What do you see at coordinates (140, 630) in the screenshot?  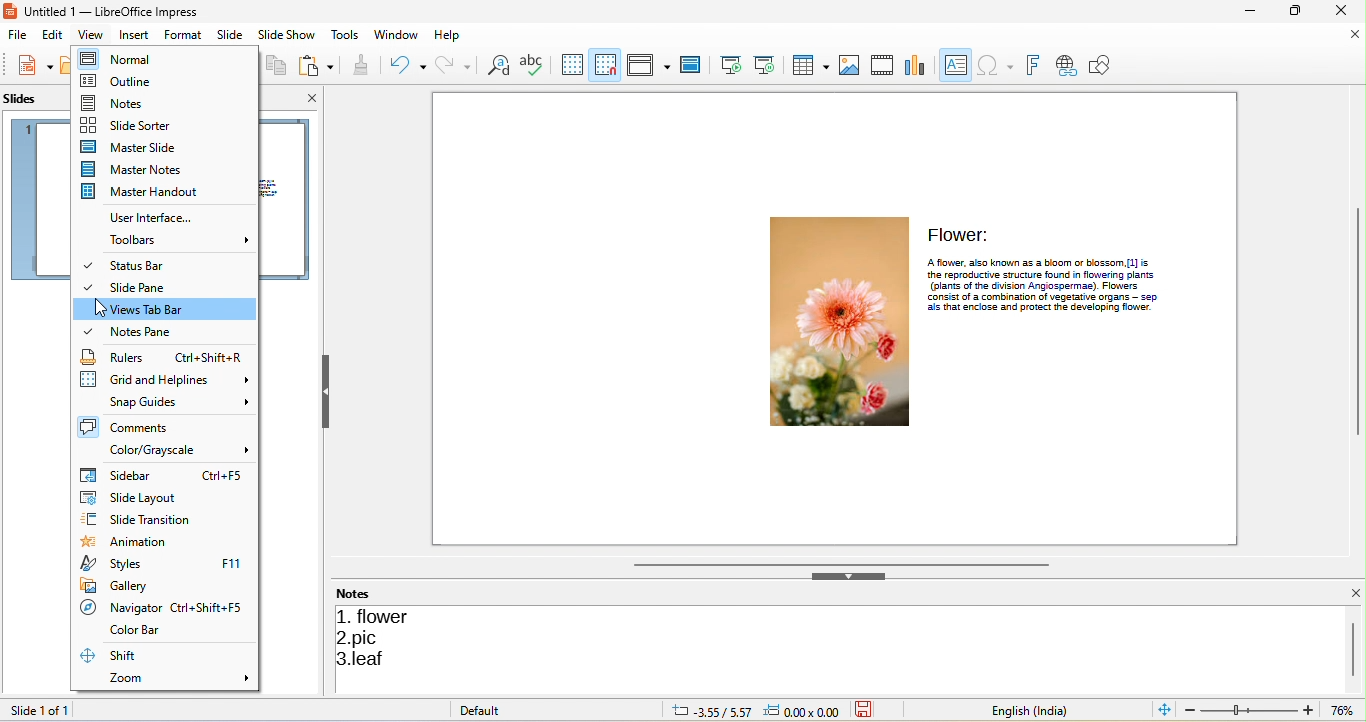 I see `color bar` at bounding box center [140, 630].